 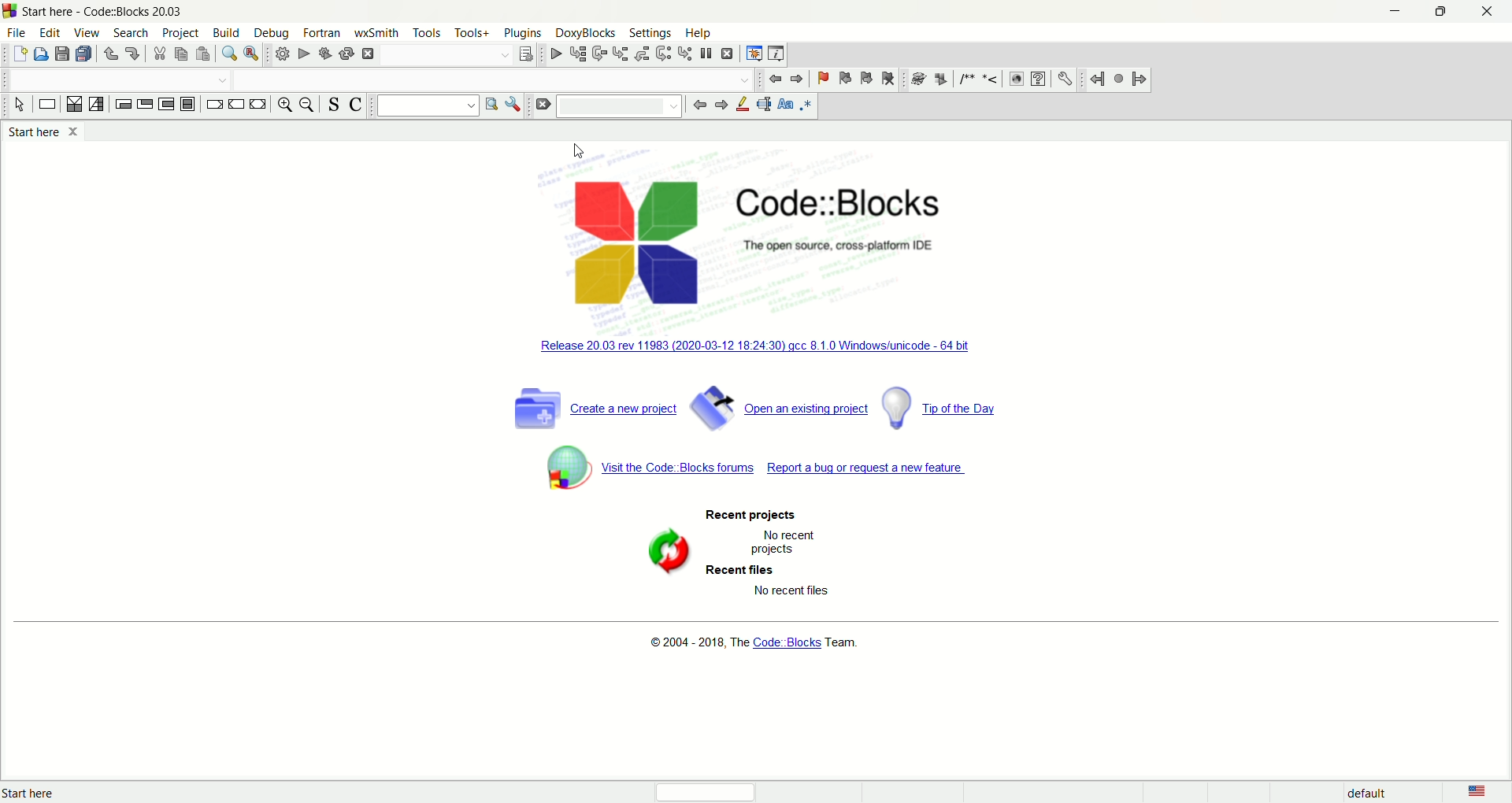 What do you see at coordinates (765, 104) in the screenshot?
I see `selected text` at bounding box center [765, 104].